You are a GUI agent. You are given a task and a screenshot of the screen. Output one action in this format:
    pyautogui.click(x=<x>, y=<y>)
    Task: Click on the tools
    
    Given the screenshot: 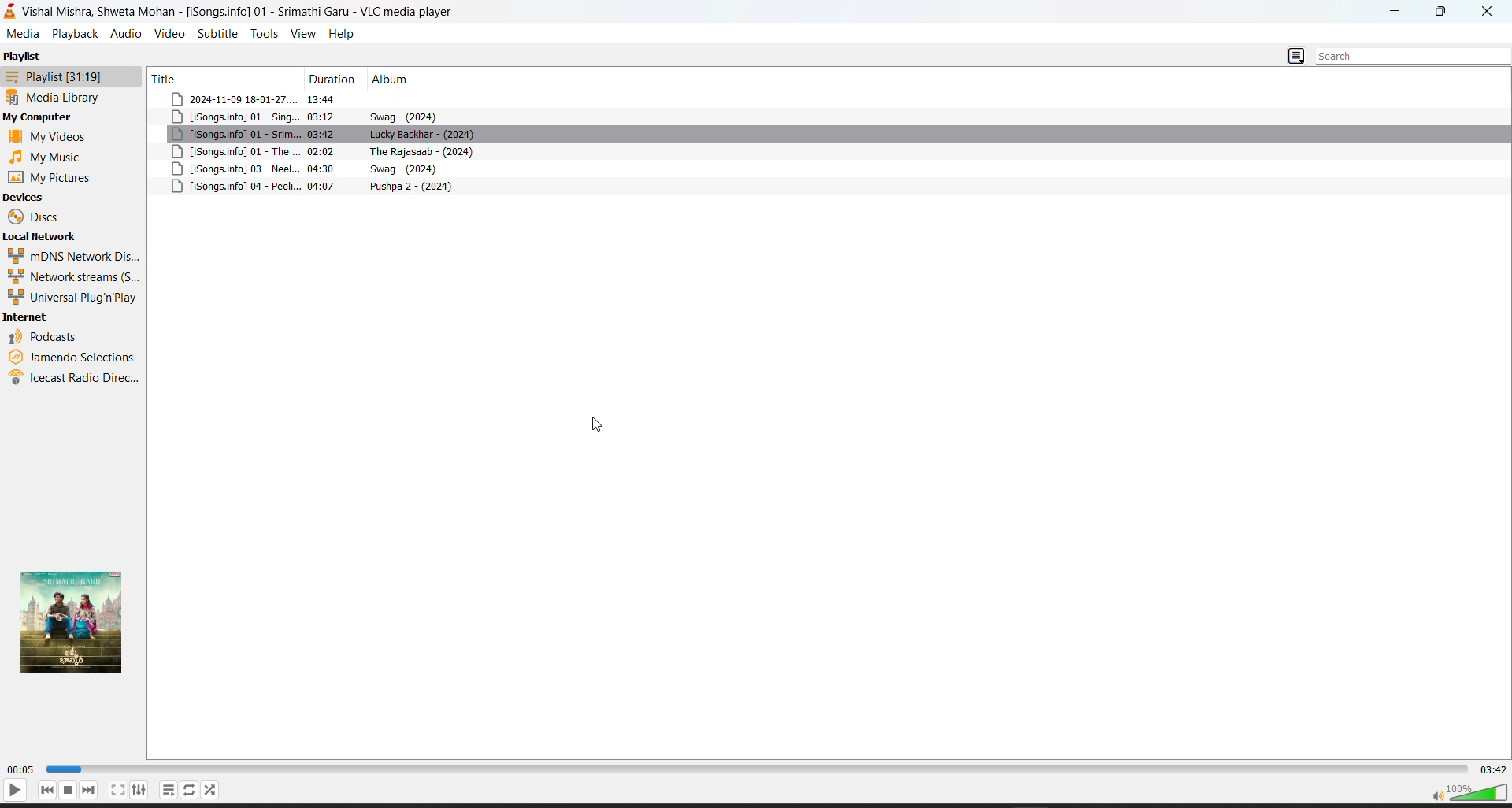 What is the action you would take?
    pyautogui.click(x=265, y=33)
    